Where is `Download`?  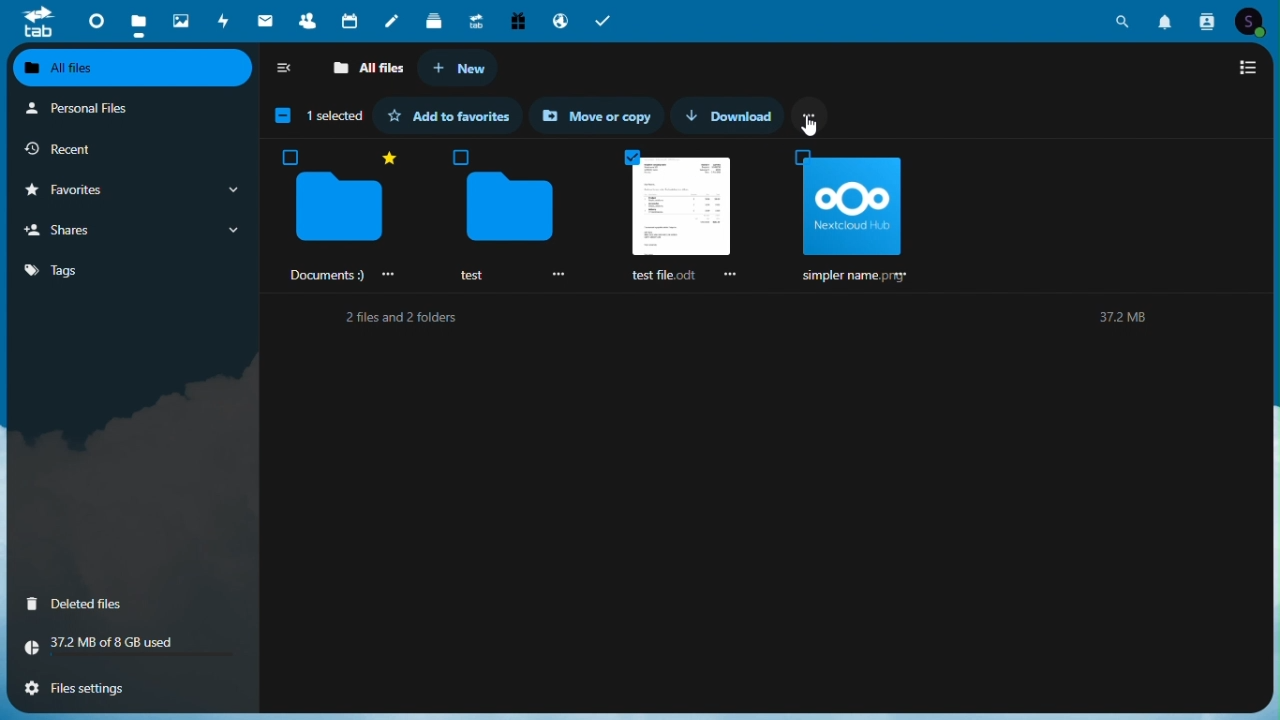 Download is located at coordinates (727, 118).